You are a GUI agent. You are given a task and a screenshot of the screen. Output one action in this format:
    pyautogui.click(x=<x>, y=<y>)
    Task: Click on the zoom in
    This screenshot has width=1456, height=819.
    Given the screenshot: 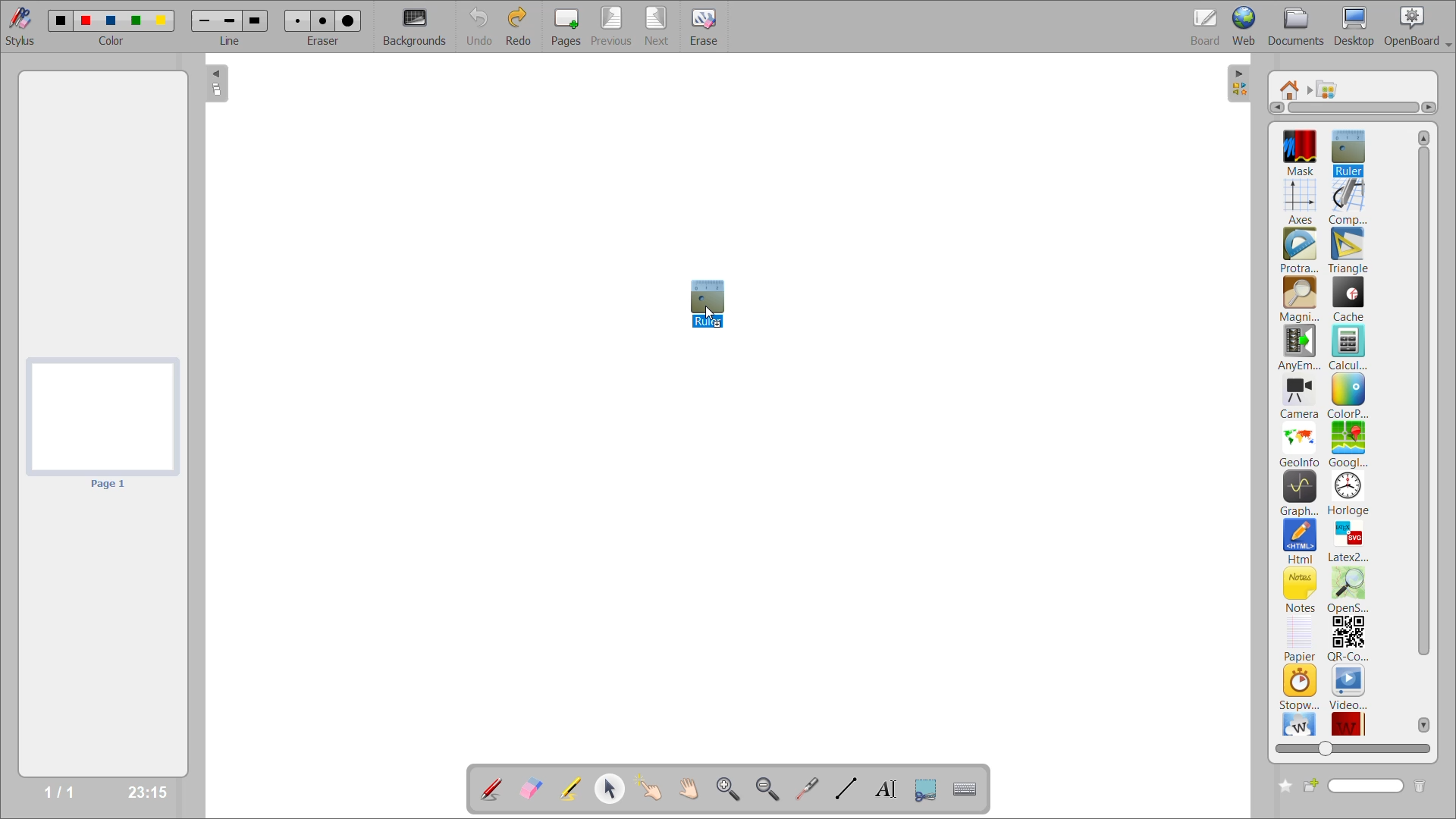 What is the action you would take?
    pyautogui.click(x=731, y=789)
    